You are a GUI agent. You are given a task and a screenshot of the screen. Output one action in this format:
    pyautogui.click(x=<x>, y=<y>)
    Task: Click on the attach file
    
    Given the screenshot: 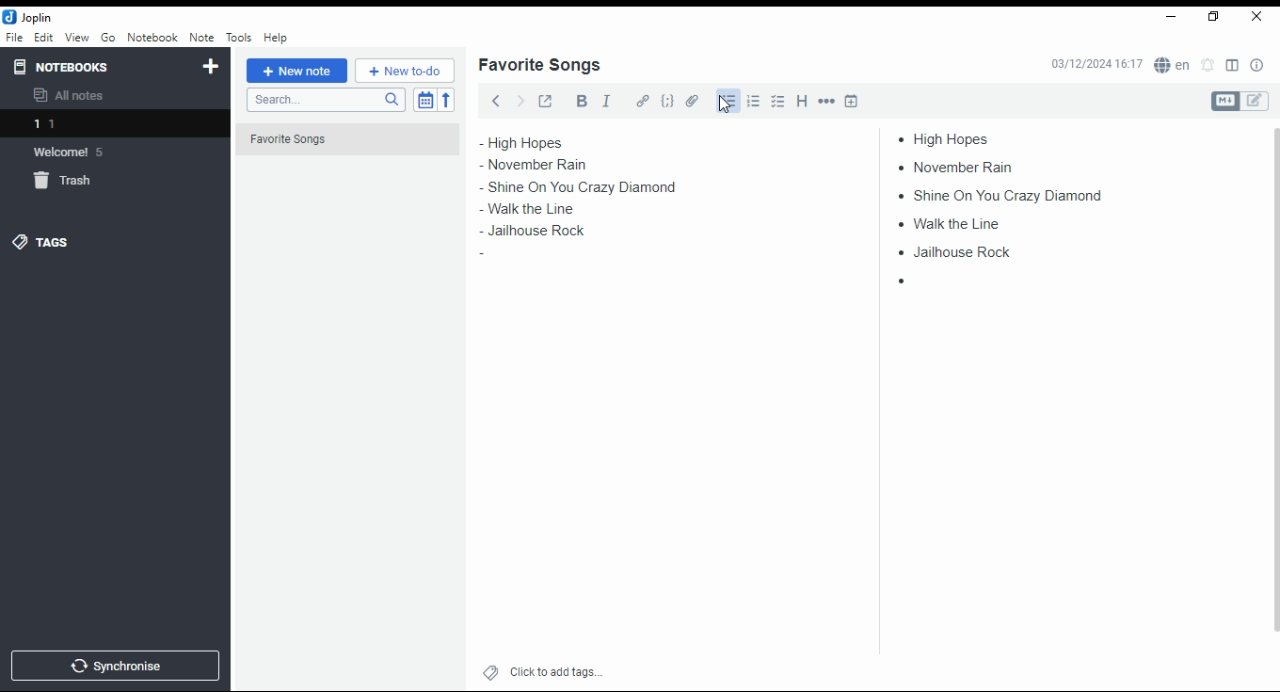 What is the action you would take?
    pyautogui.click(x=693, y=100)
    